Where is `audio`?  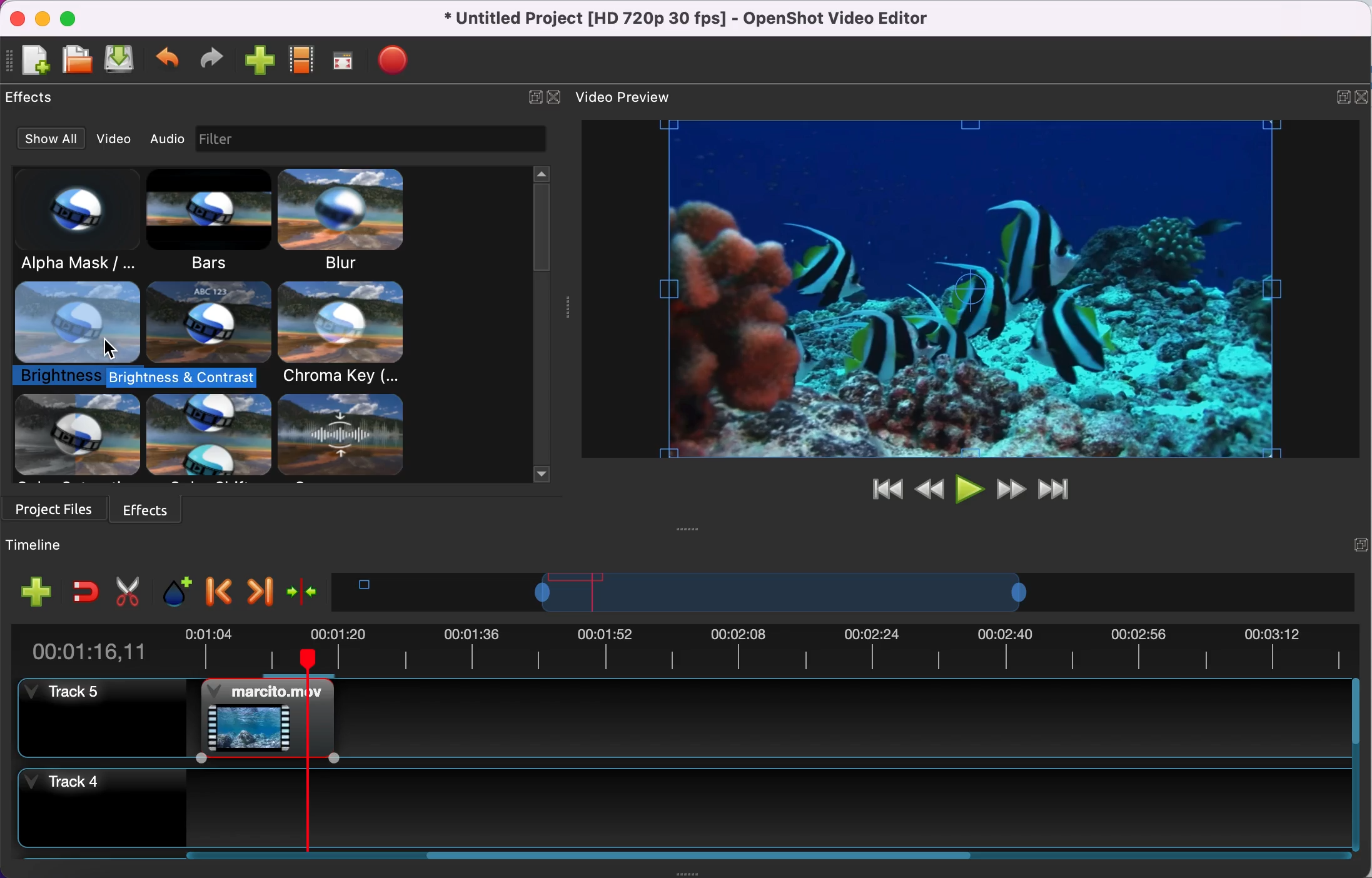
audio is located at coordinates (166, 141).